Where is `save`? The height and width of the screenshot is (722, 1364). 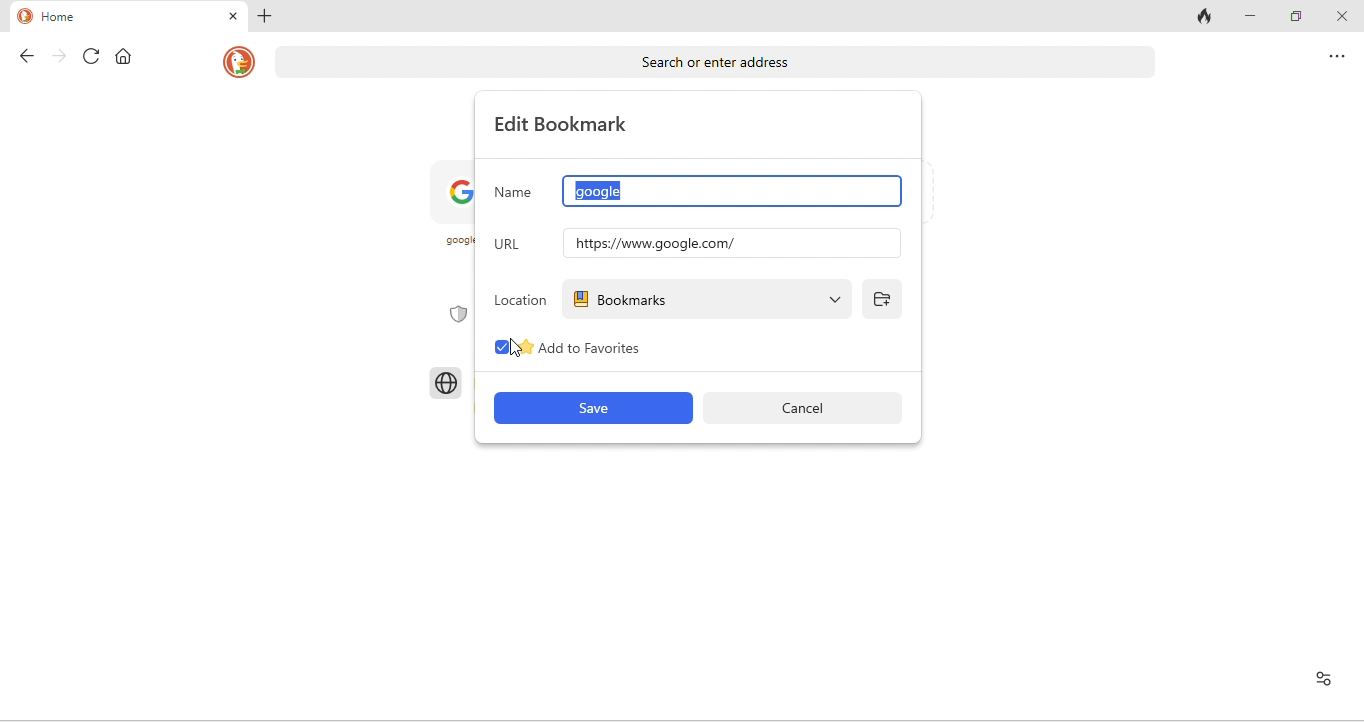 save is located at coordinates (591, 409).